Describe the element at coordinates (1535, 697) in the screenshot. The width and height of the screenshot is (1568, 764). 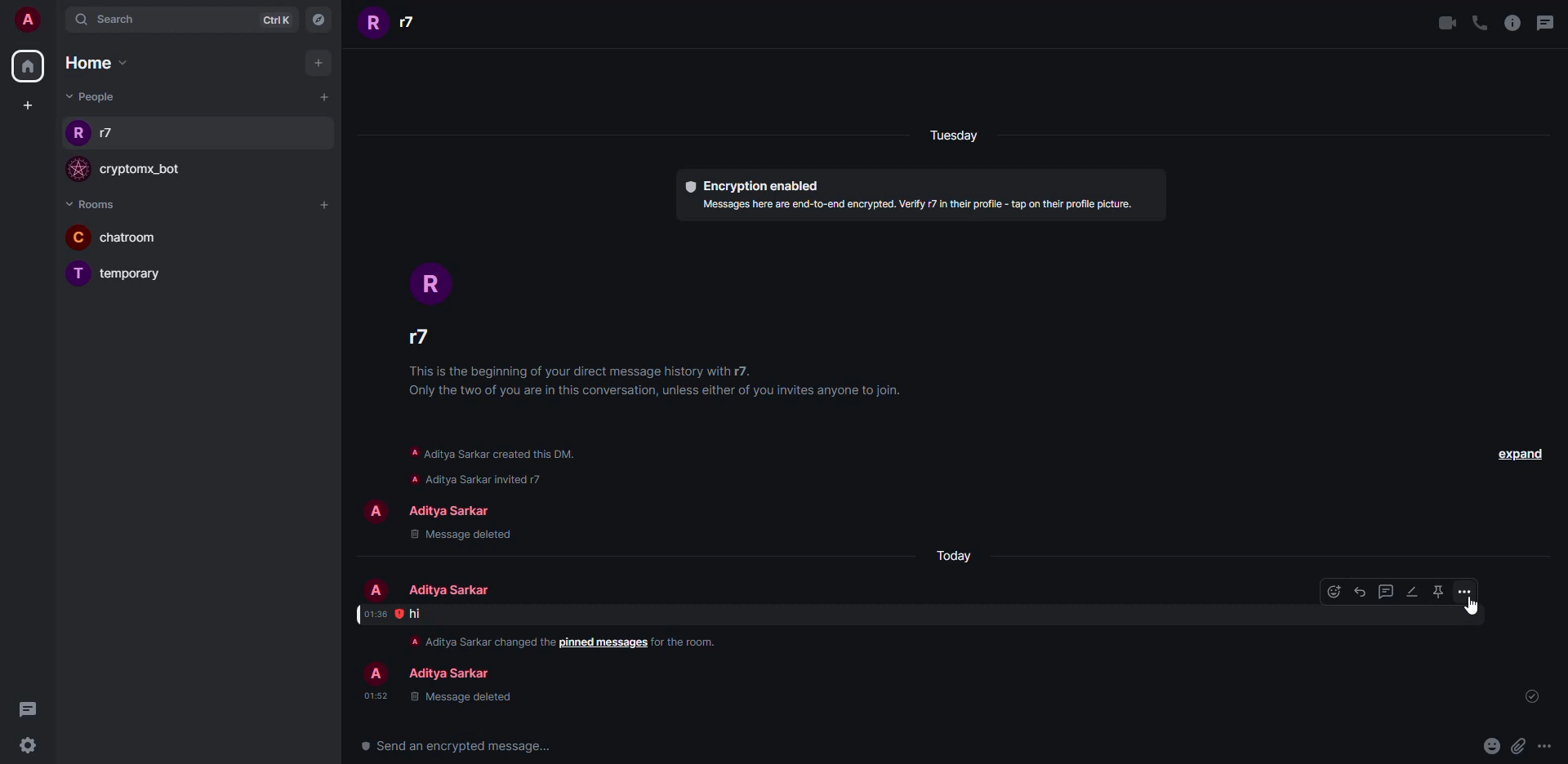
I see `sent` at that location.